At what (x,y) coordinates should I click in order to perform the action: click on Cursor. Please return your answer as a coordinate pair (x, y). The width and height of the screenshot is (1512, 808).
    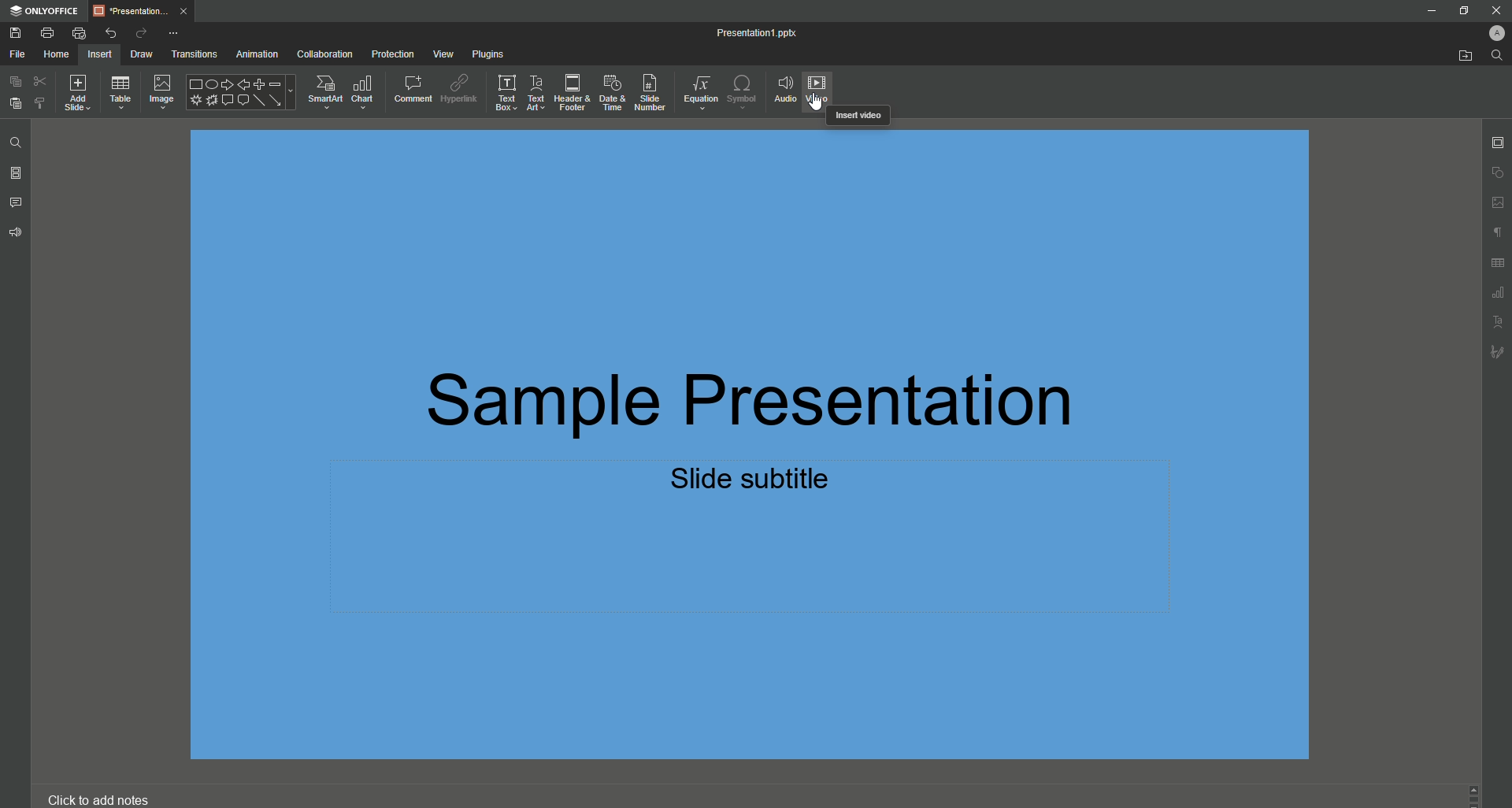
    Looking at the image, I should click on (817, 105).